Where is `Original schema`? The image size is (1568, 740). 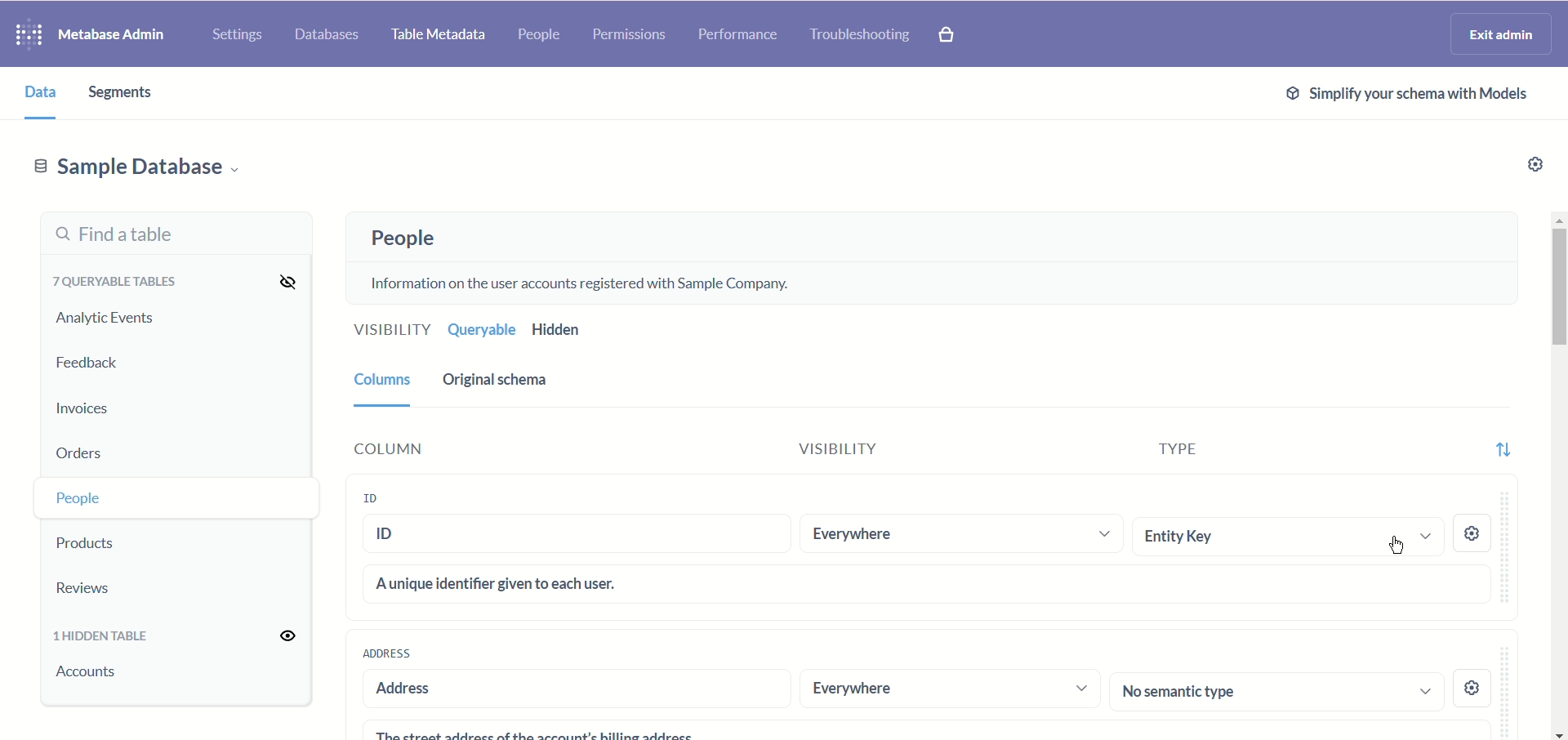
Original schema is located at coordinates (498, 380).